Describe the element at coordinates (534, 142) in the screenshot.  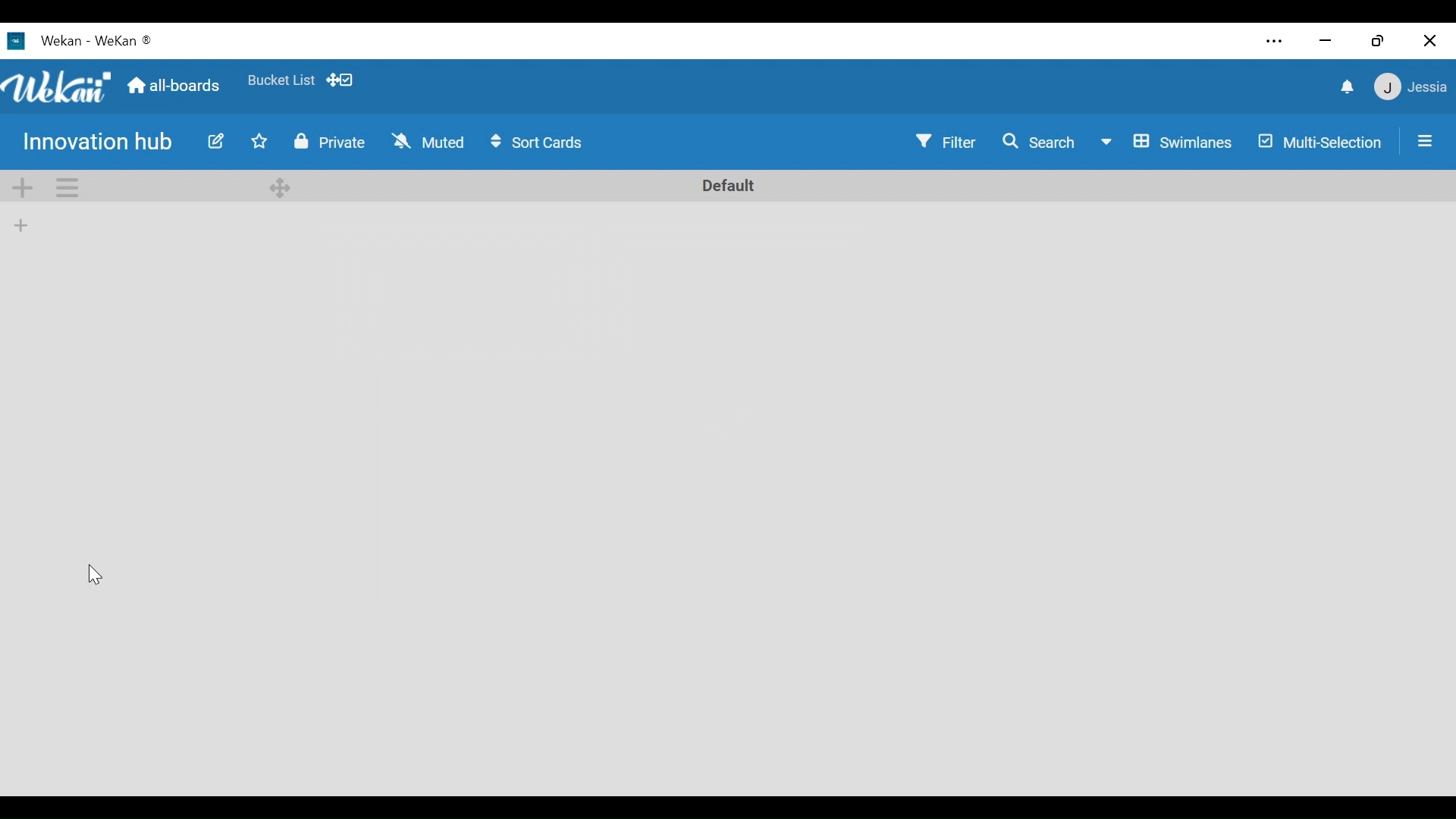
I see `Sort Cards` at that location.